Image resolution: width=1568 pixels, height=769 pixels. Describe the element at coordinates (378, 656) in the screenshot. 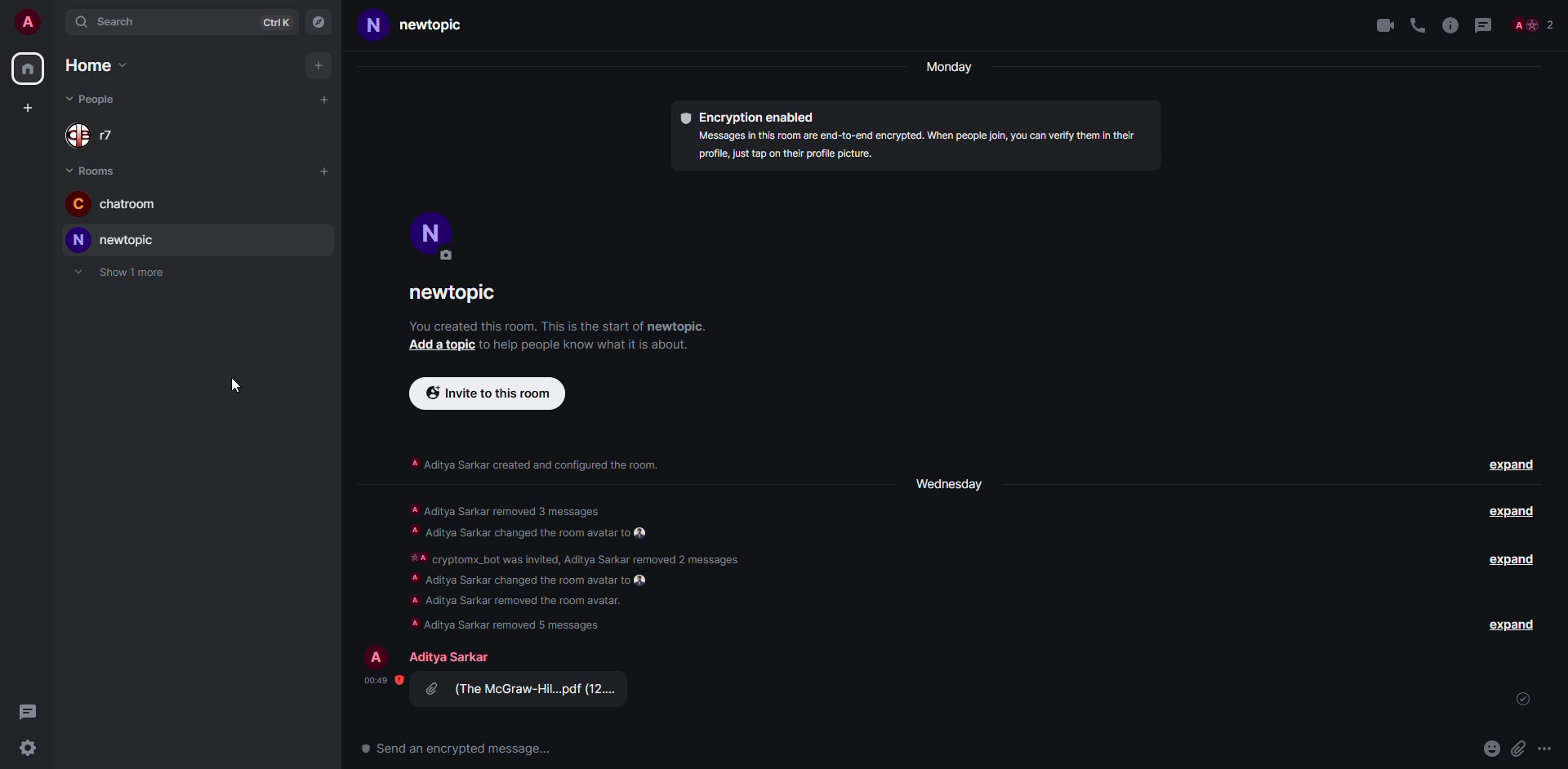

I see `profile` at that location.